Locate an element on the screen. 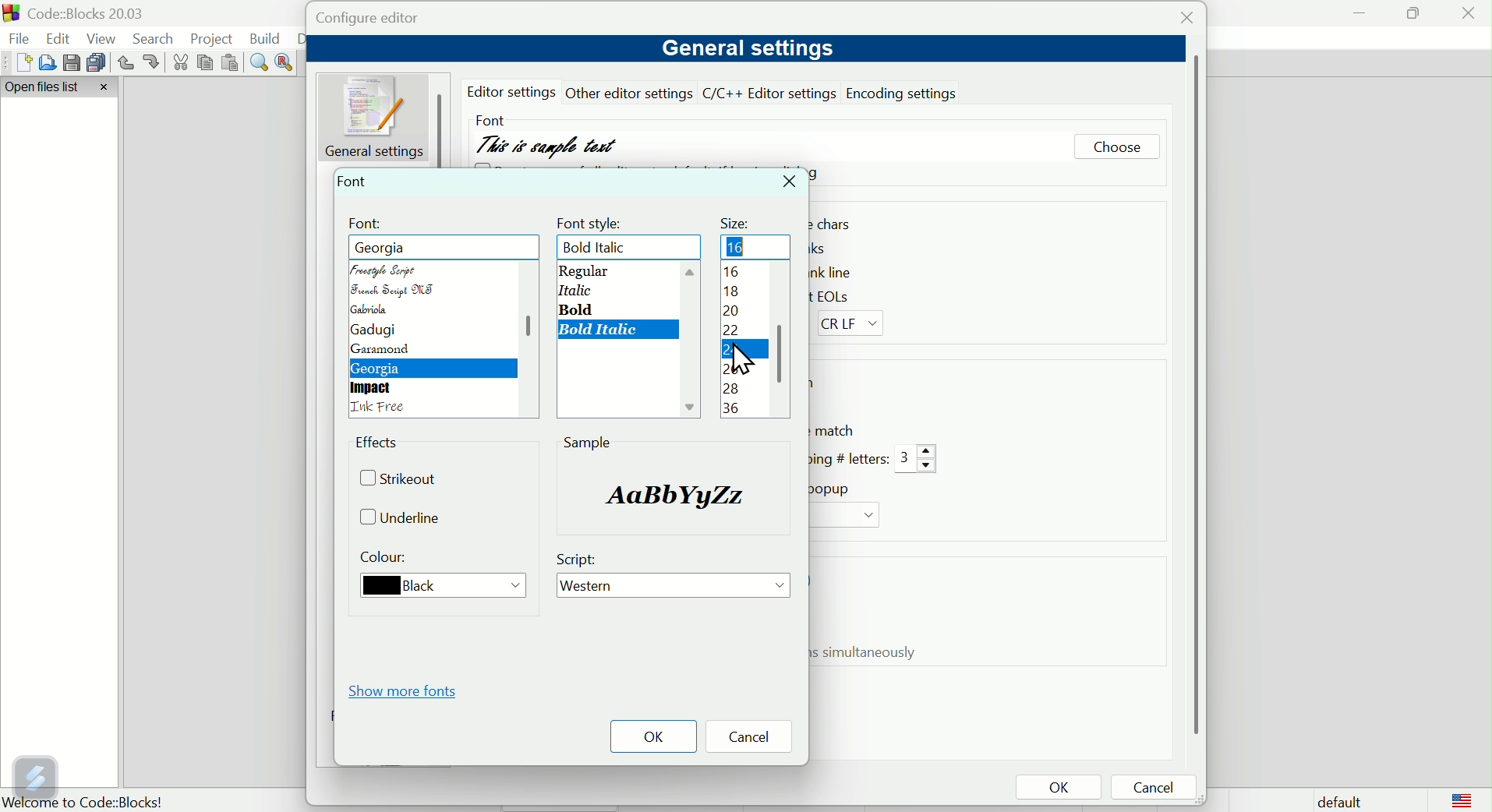  editor settings is located at coordinates (514, 92).